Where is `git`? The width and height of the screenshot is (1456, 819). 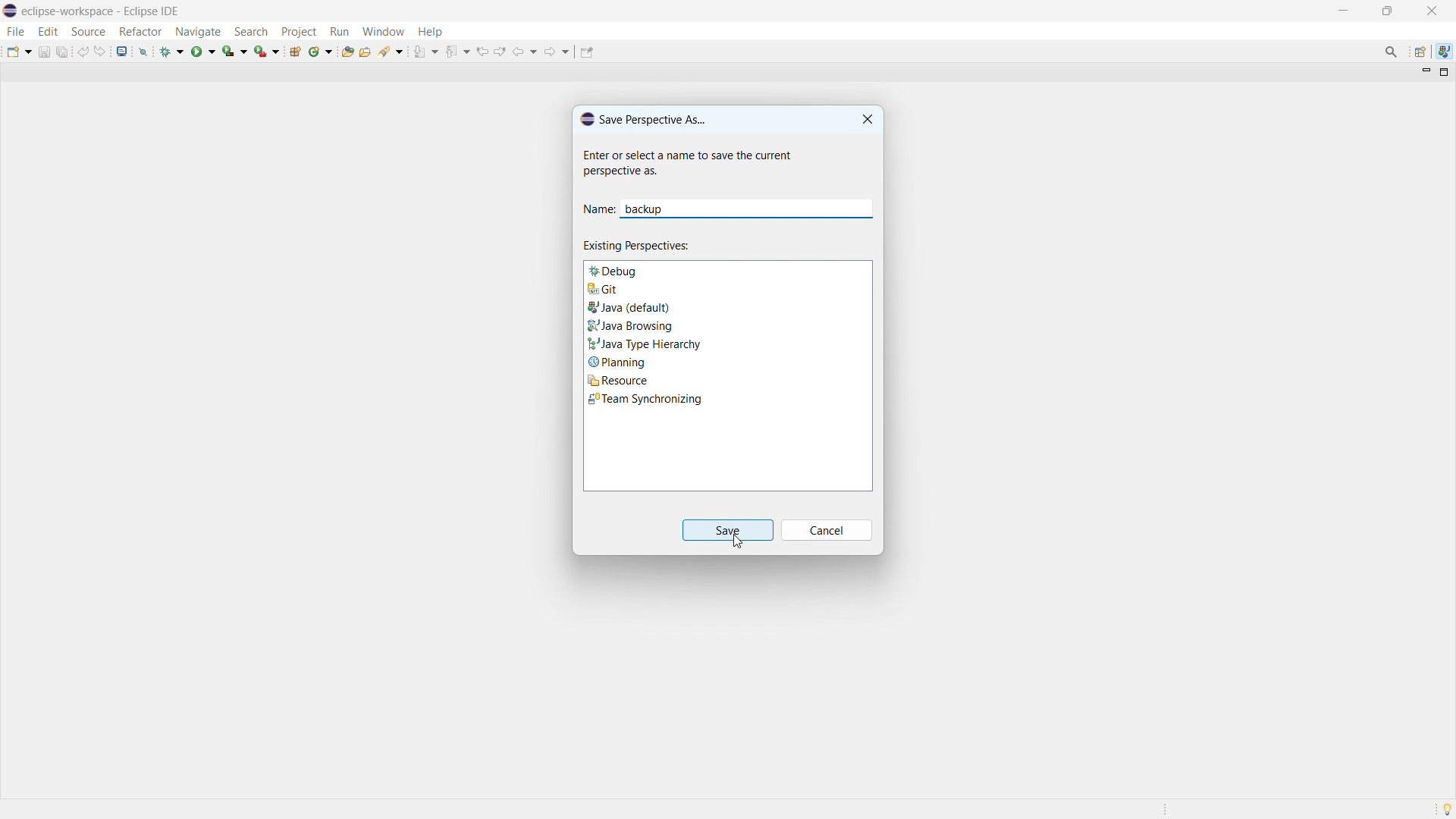
git is located at coordinates (726, 287).